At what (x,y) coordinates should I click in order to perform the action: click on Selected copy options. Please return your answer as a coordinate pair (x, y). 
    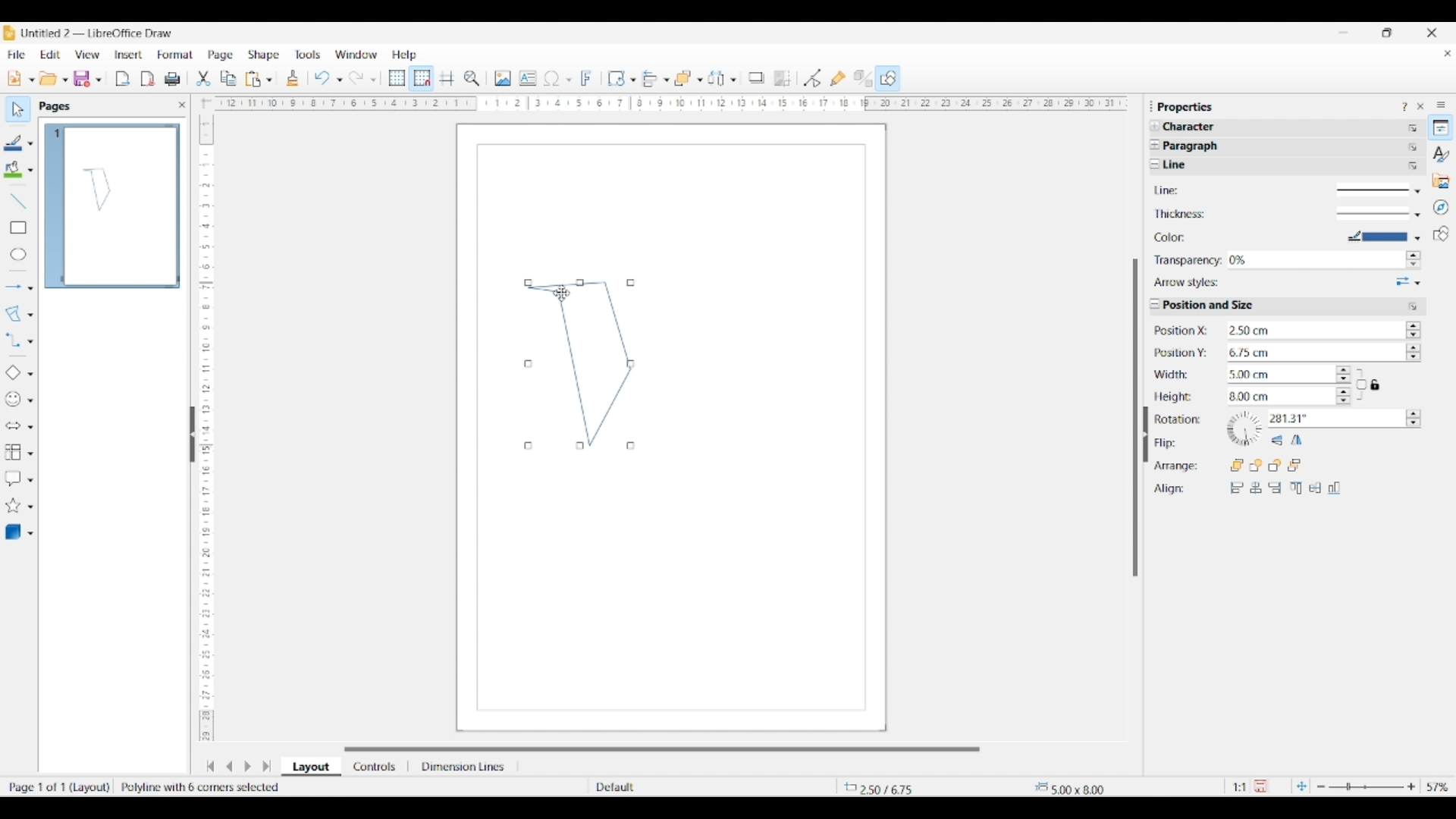
    Looking at the image, I should click on (203, 79).